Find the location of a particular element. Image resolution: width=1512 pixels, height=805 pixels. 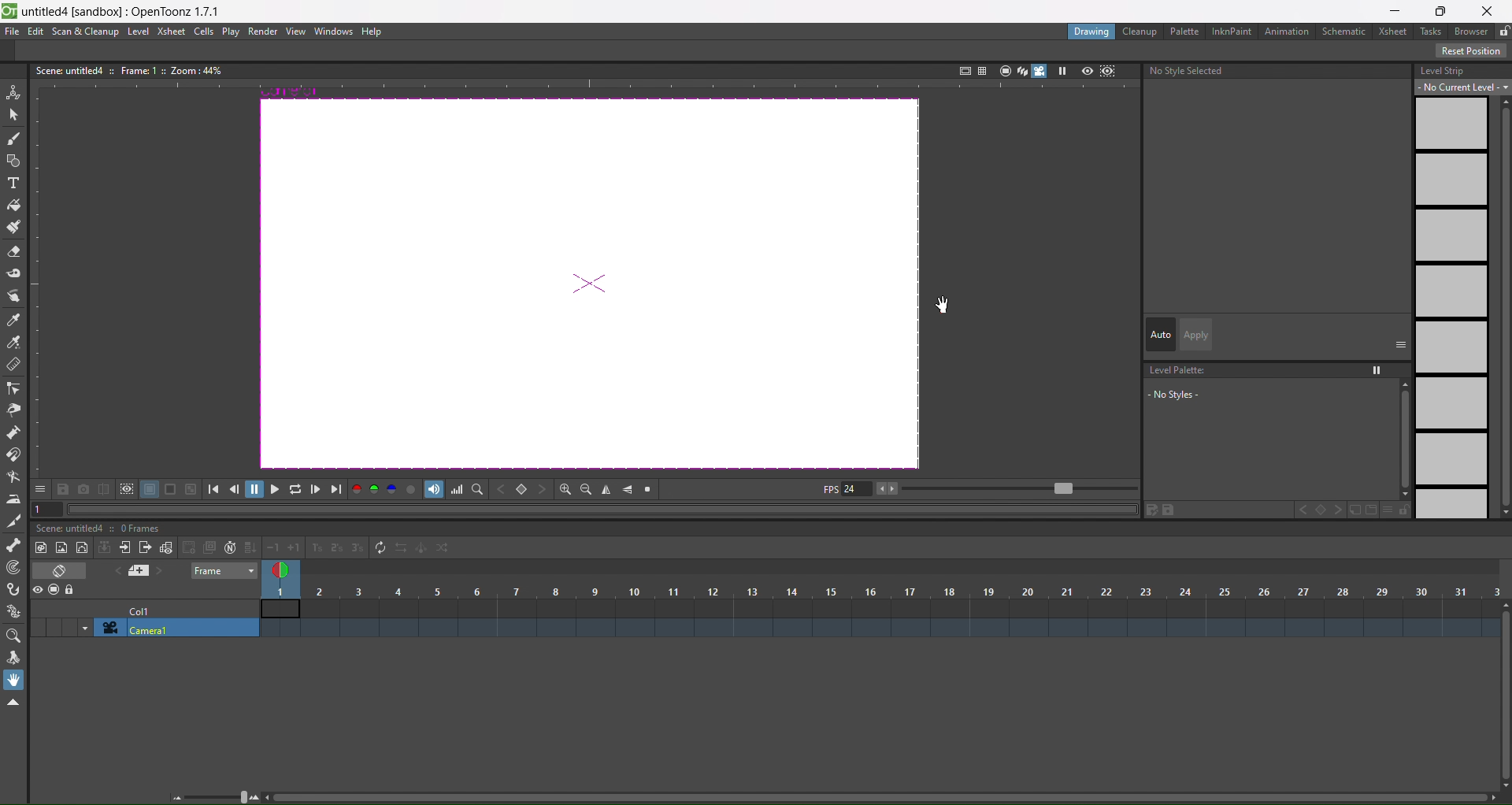

create blank drawing is located at coordinates (198, 547).